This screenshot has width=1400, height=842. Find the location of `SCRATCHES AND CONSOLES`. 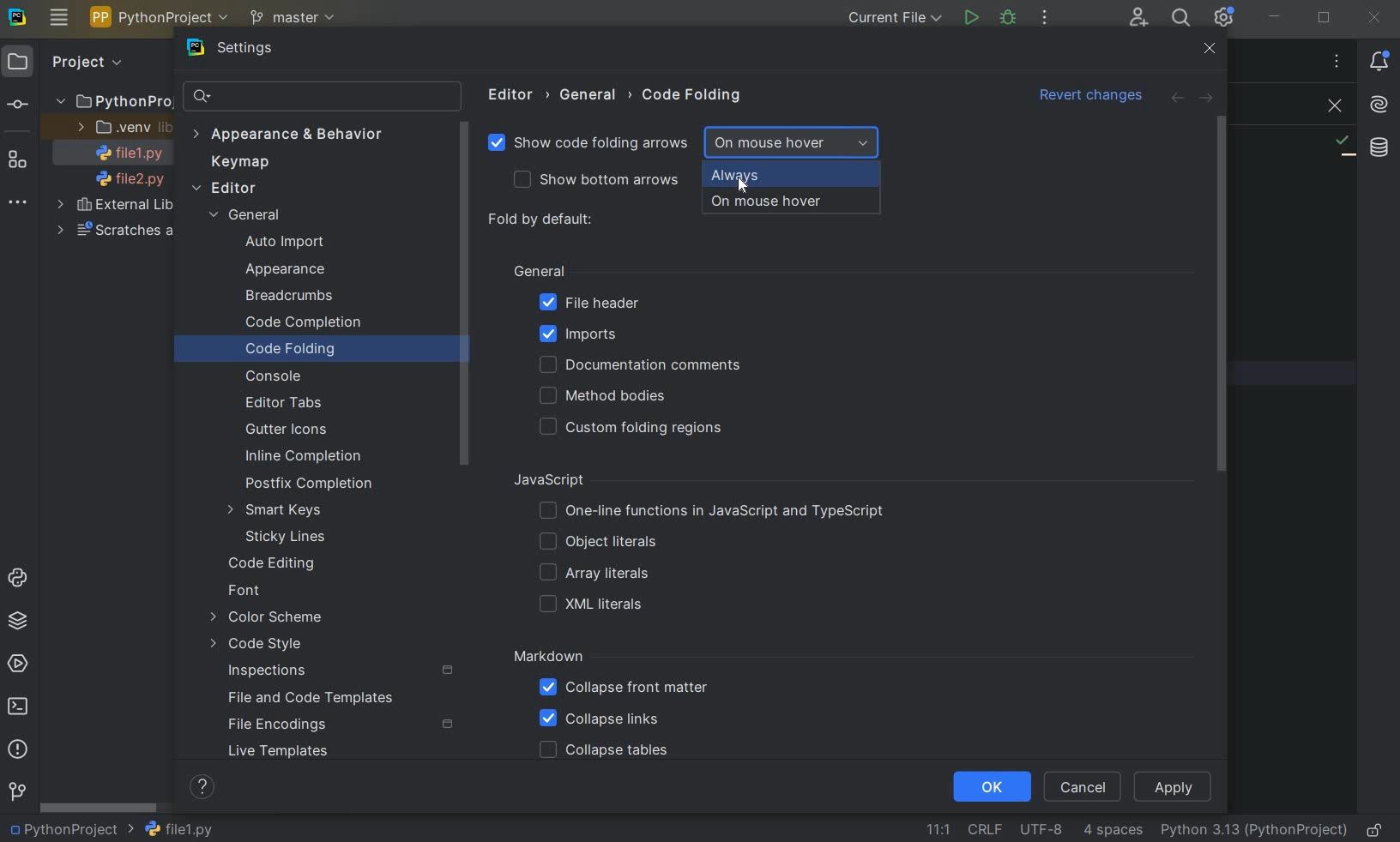

SCRATCHES AND CONSOLES is located at coordinates (112, 232).